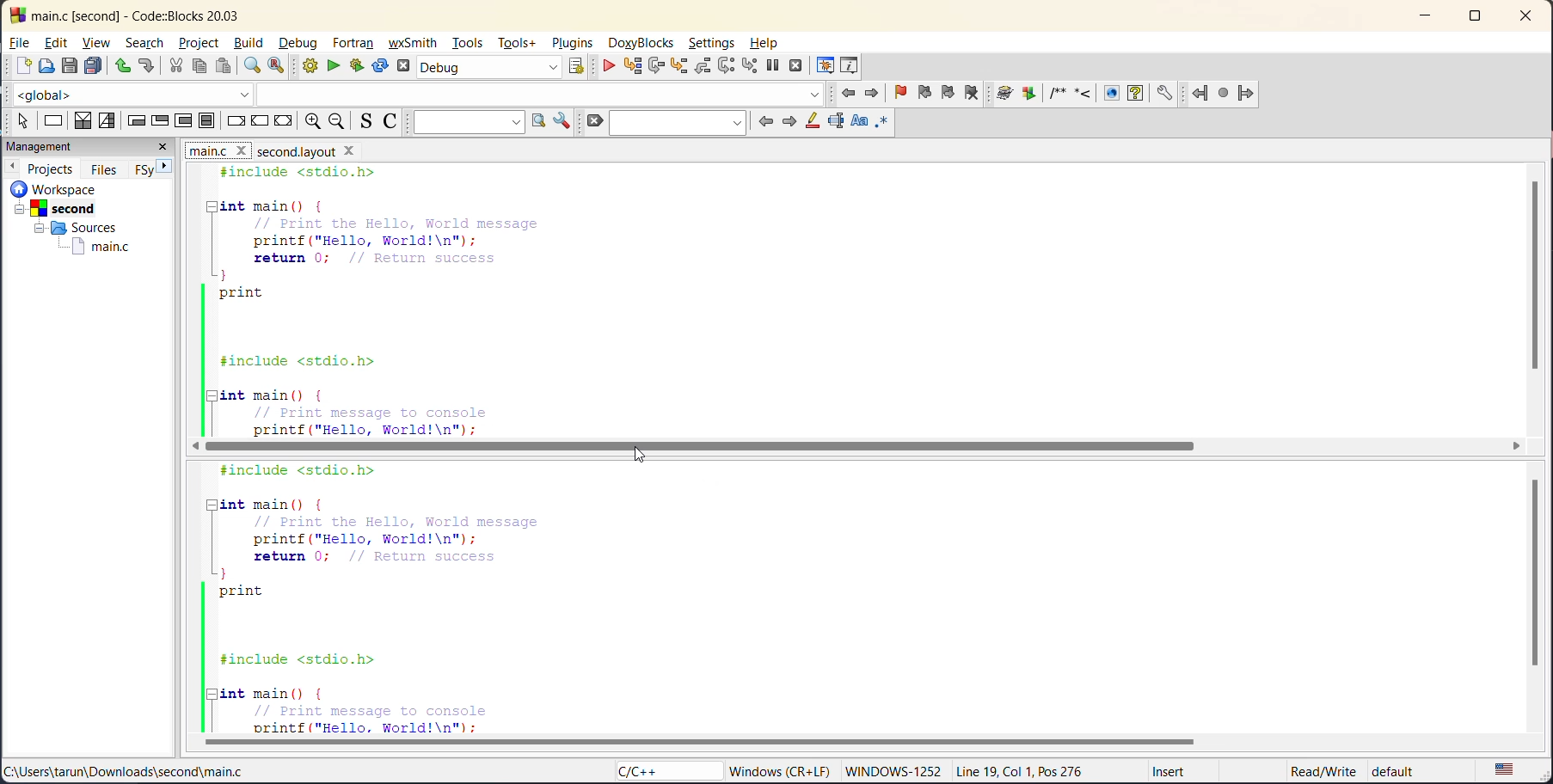  What do you see at coordinates (860, 122) in the screenshot?
I see `match case` at bounding box center [860, 122].